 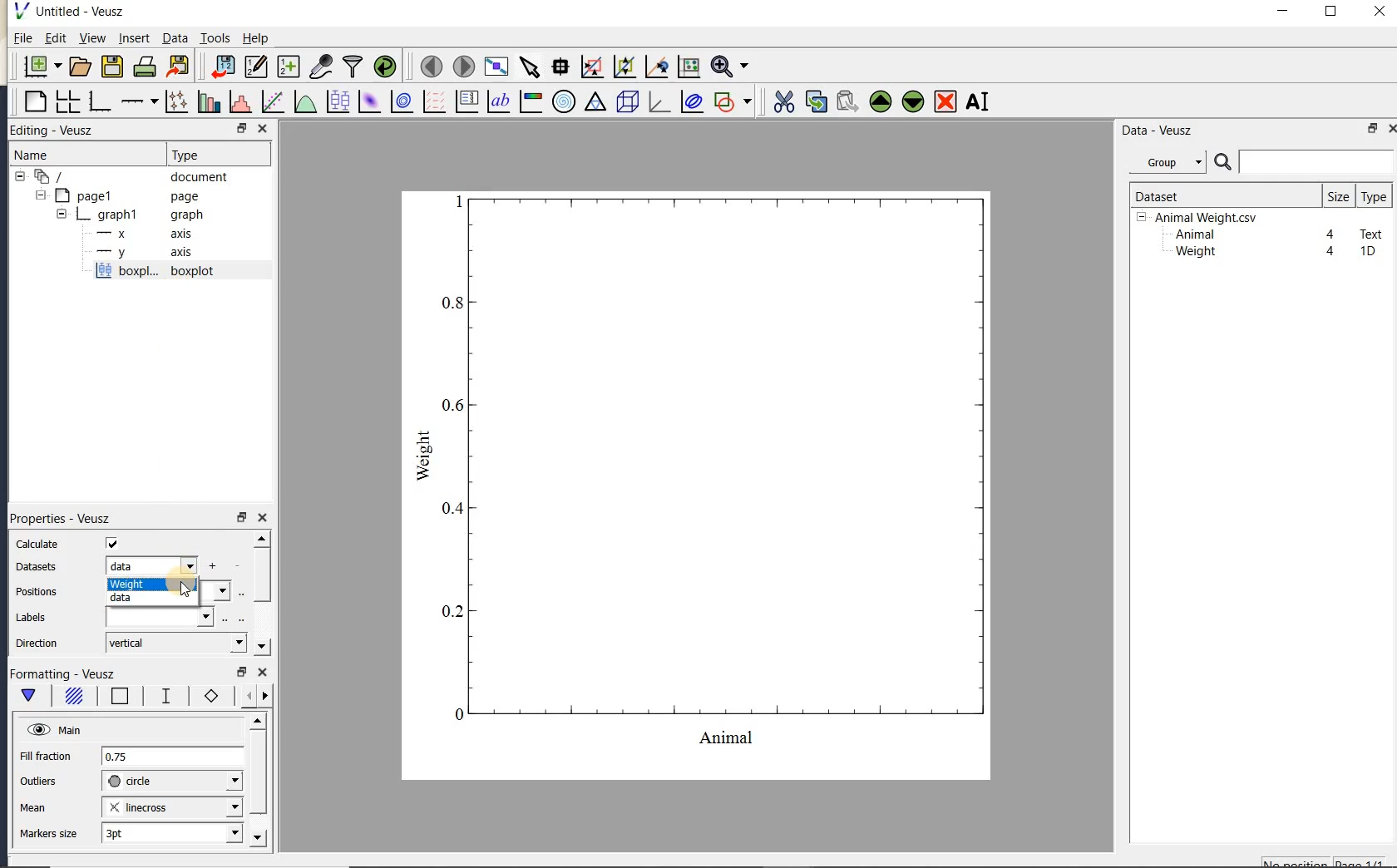 I want to click on export to graphics format, so click(x=179, y=65).